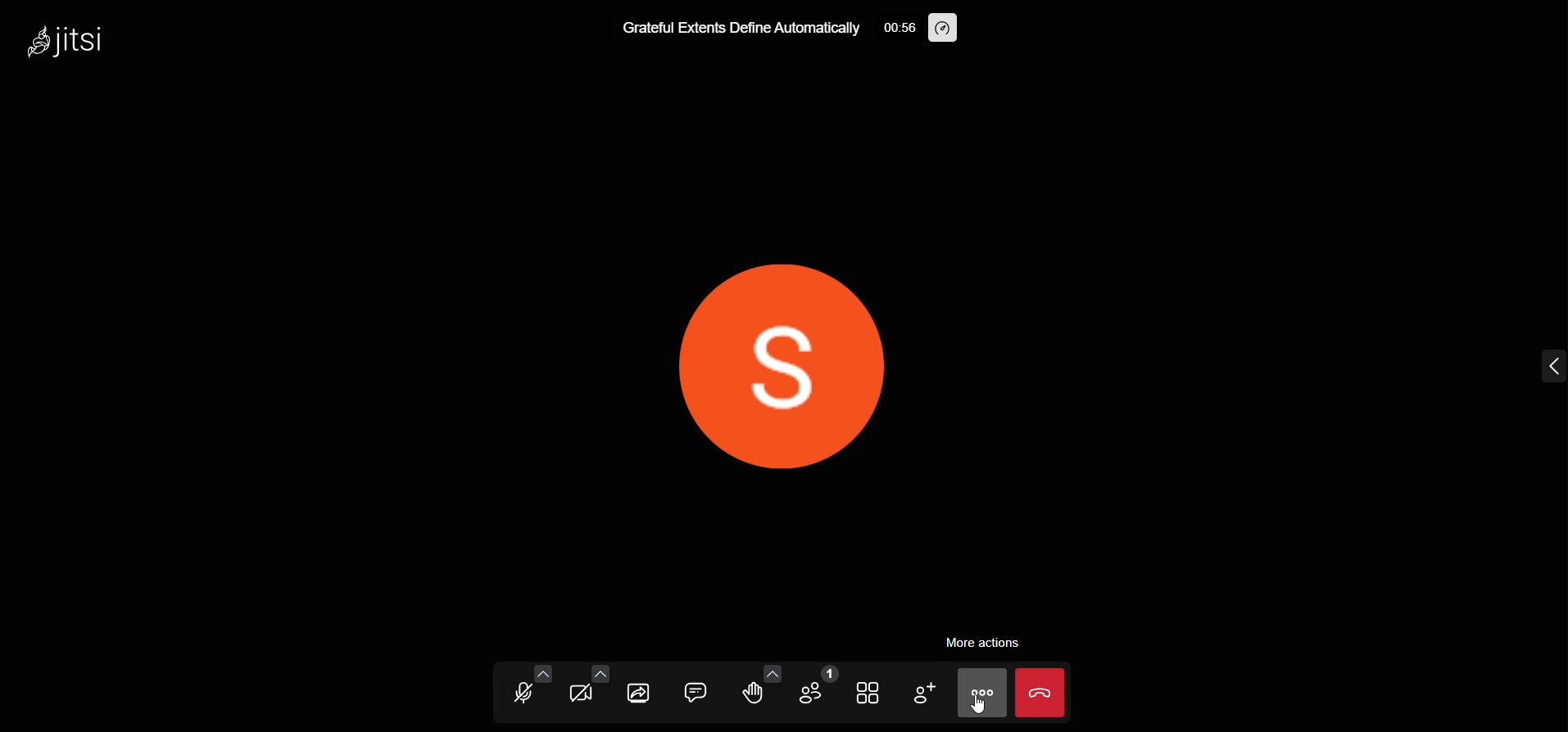  Describe the element at coordinates (641, 692) in the screenshot. I see `screen share` at that location.